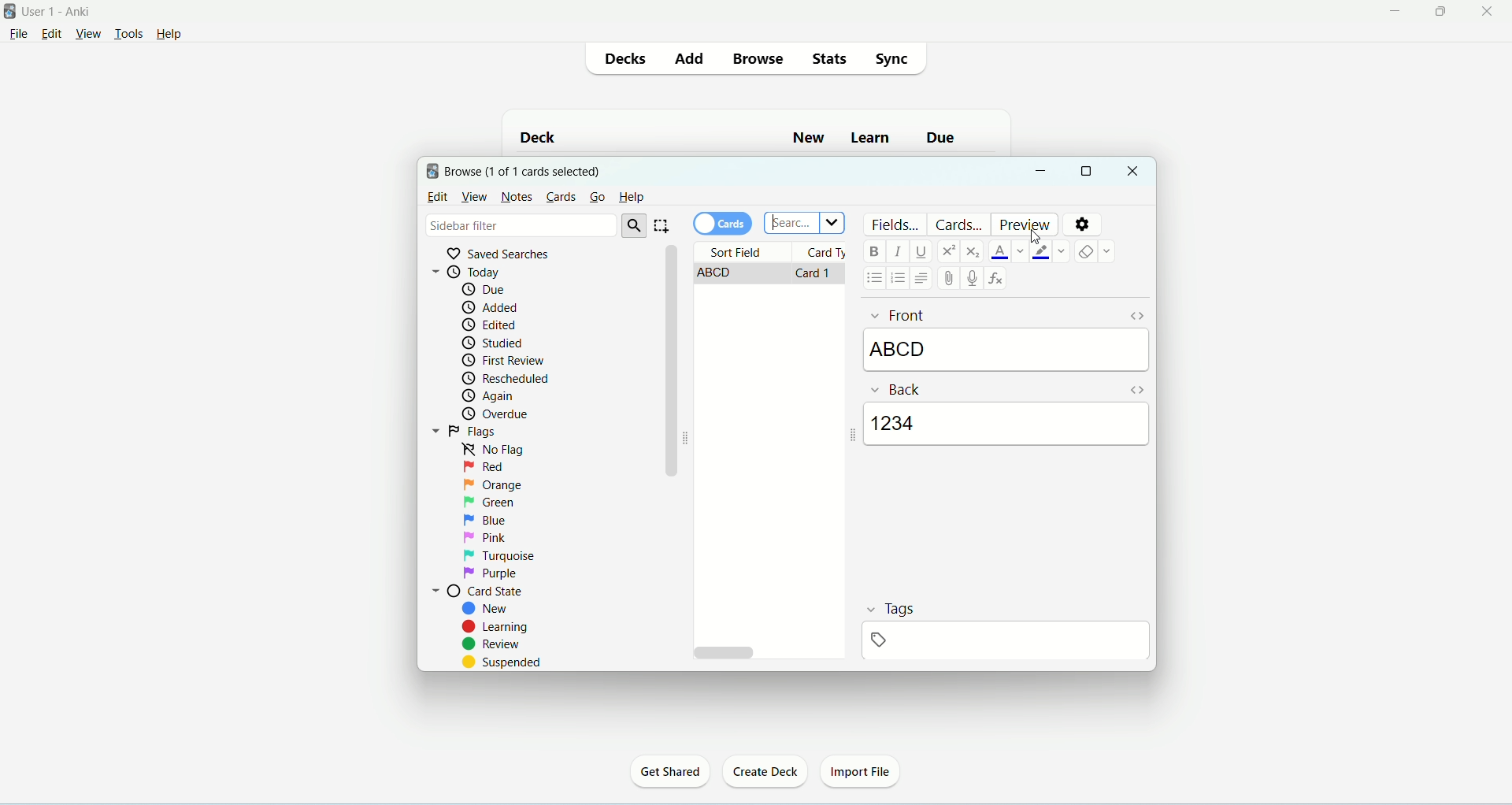  I want to click on subscript, so click(972, 250).